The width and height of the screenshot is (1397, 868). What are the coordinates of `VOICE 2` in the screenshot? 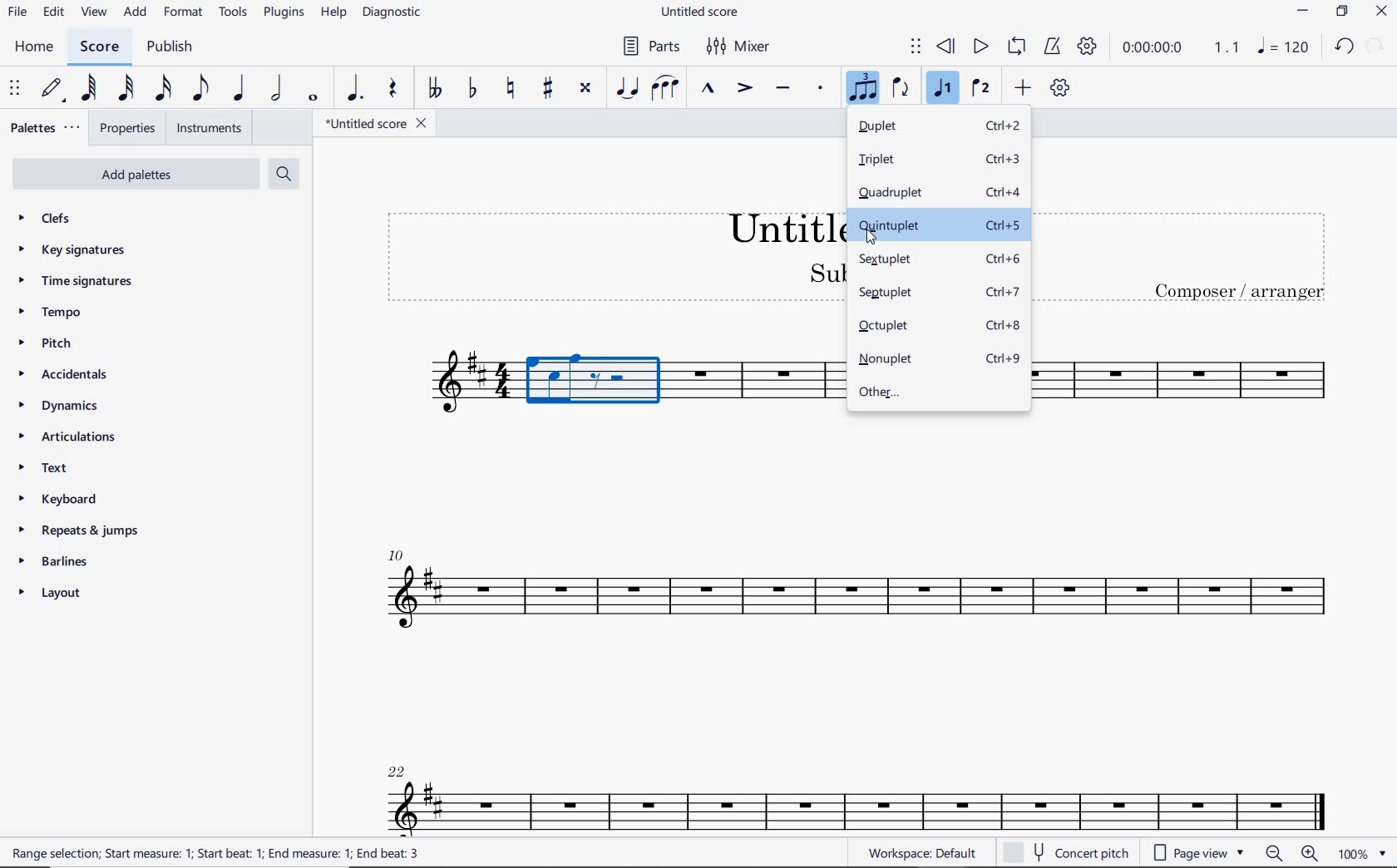 It's located at (982, 89).